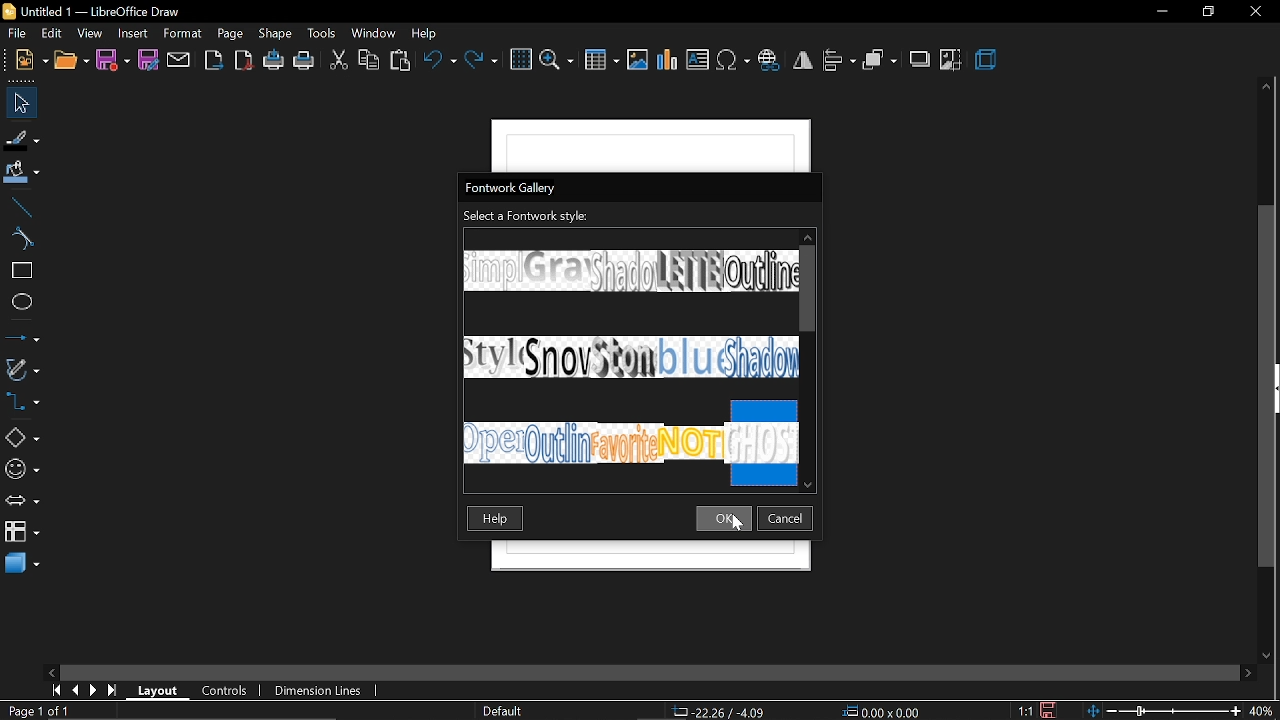 The height and width of the screenshot is (720, 1280). What do you see at coordinates (219, 690) in the screenshot?
I see `controls` at bounding box center [219, 690].